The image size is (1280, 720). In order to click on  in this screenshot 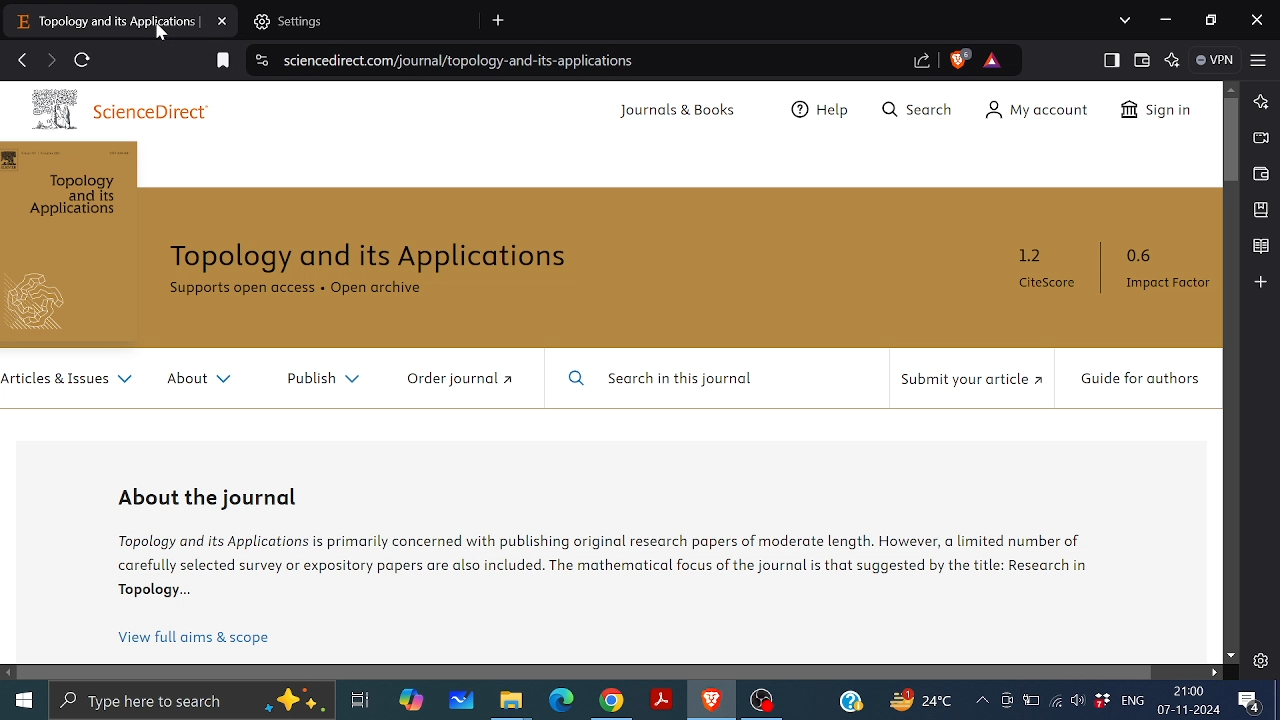, I will do `click(1032, 702)`.